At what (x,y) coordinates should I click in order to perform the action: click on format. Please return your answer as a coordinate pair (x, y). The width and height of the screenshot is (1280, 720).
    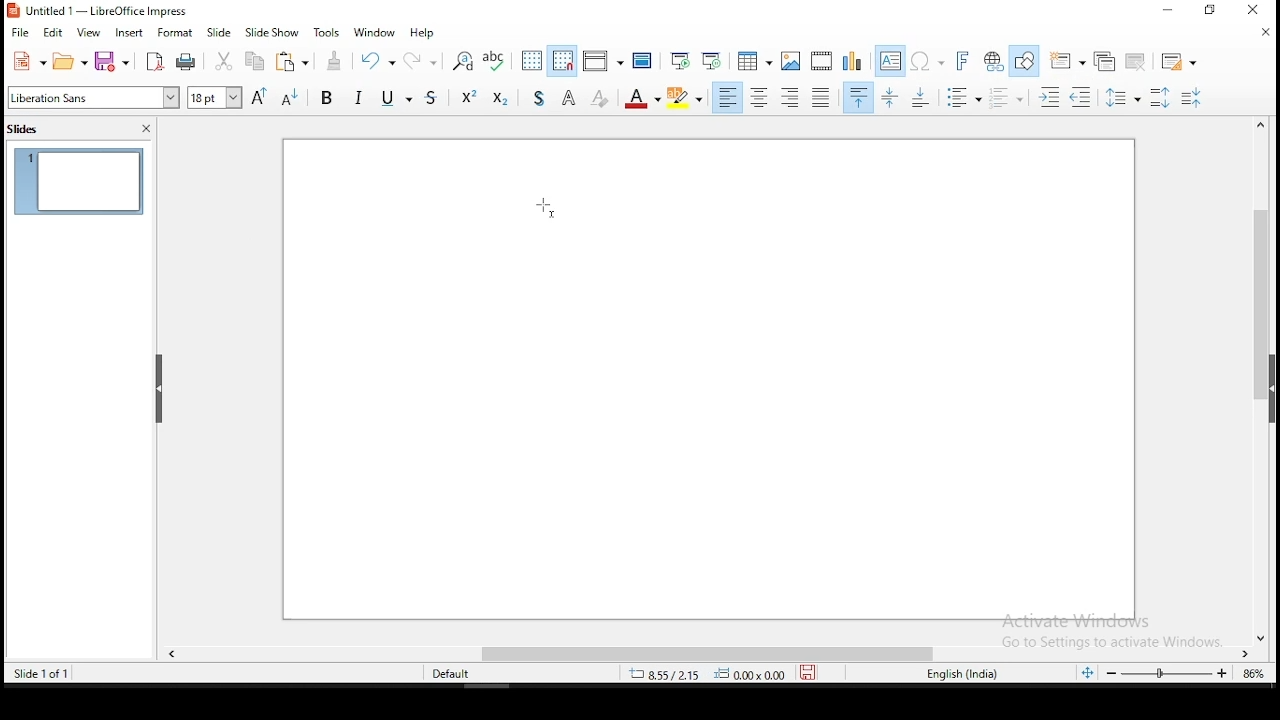
    Looking at the image, I should click on (175, 35).